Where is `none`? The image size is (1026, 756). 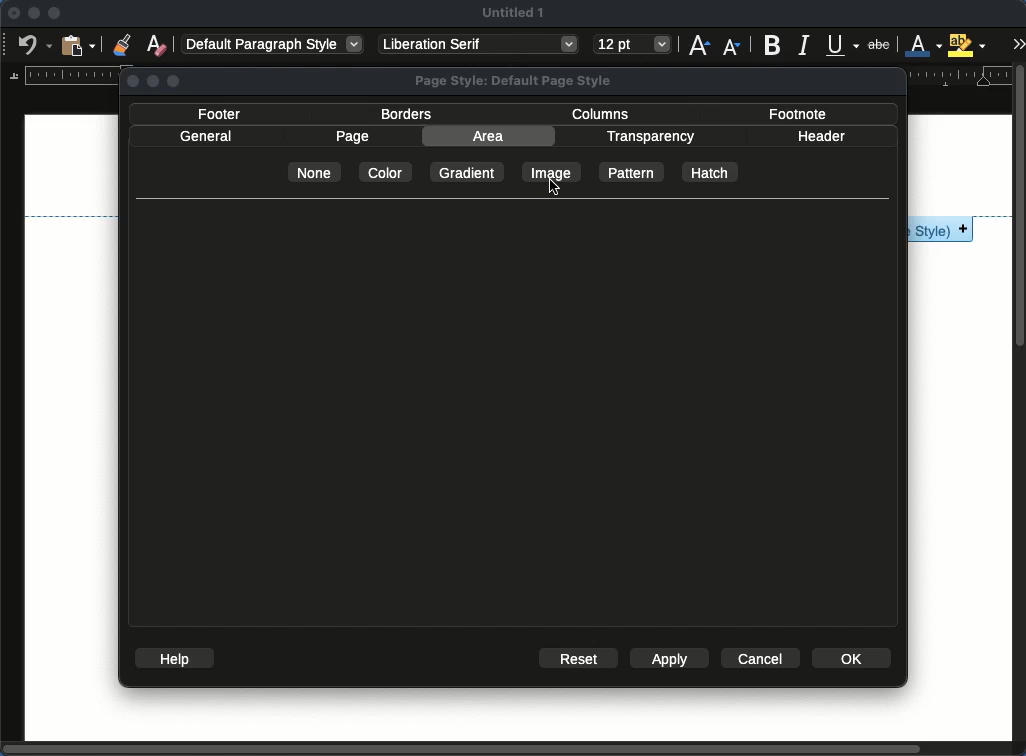 none is located at coordinates (317, 171).